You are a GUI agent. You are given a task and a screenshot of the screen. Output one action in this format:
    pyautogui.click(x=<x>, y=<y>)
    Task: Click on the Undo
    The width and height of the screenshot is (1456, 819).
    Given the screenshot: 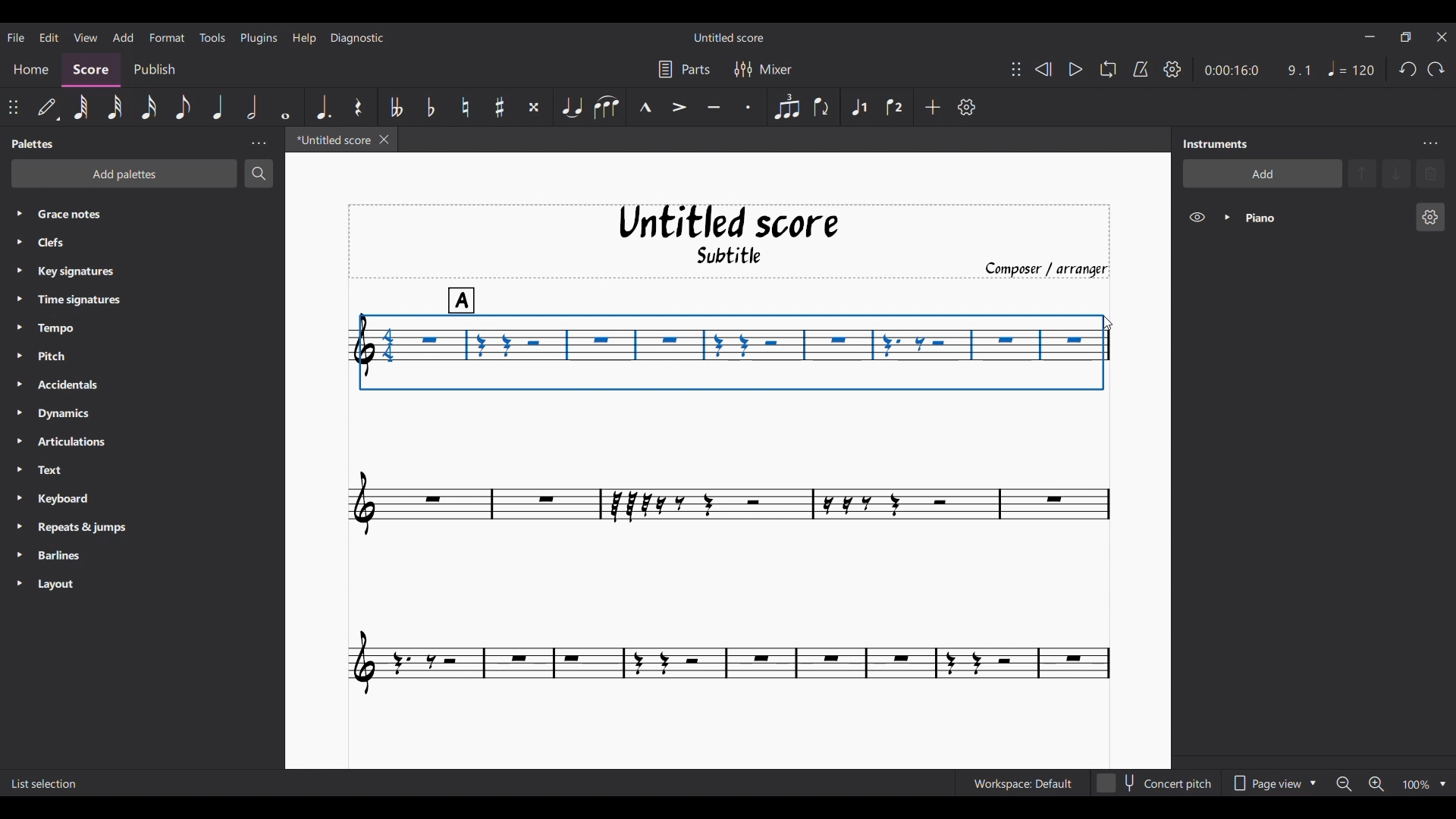 What is the action you would take?
    pyautogui.click(x=1407, y=69)
    